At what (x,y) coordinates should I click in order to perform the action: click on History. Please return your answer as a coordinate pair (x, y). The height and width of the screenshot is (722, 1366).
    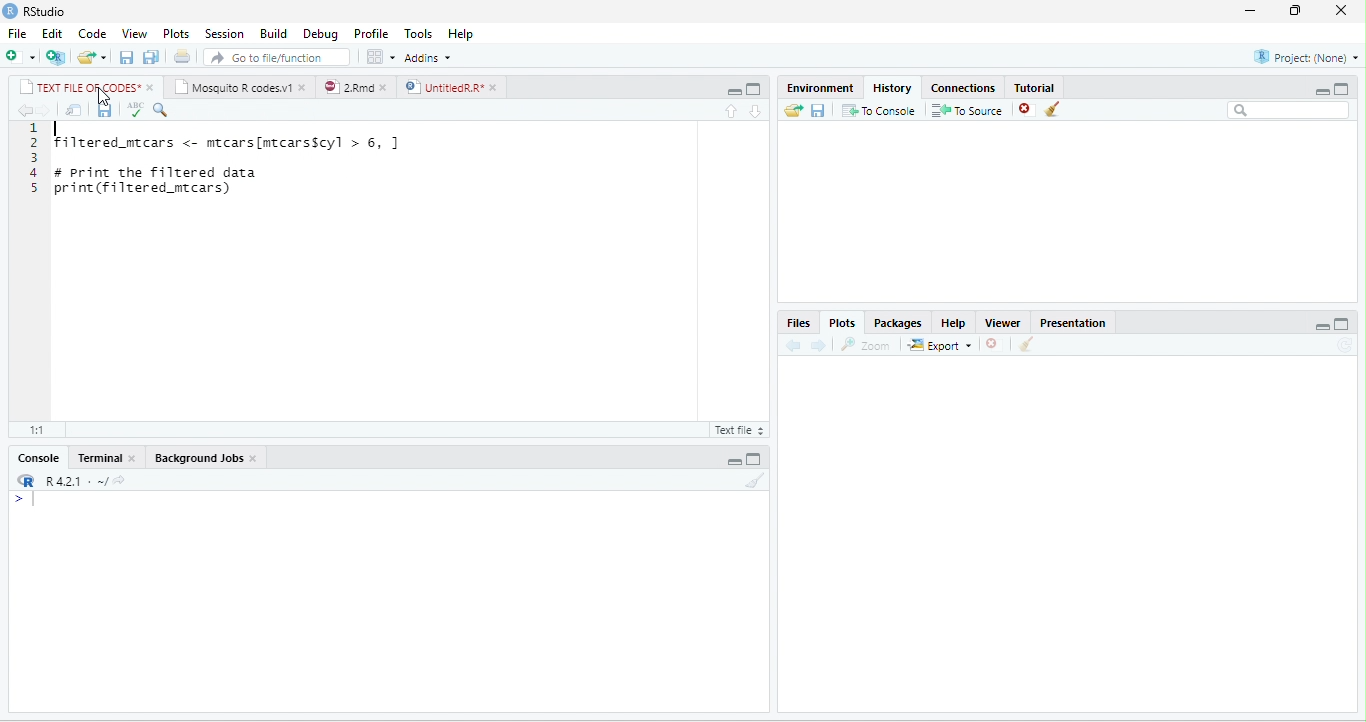
    Looking at the image, I should click on (892, 88).